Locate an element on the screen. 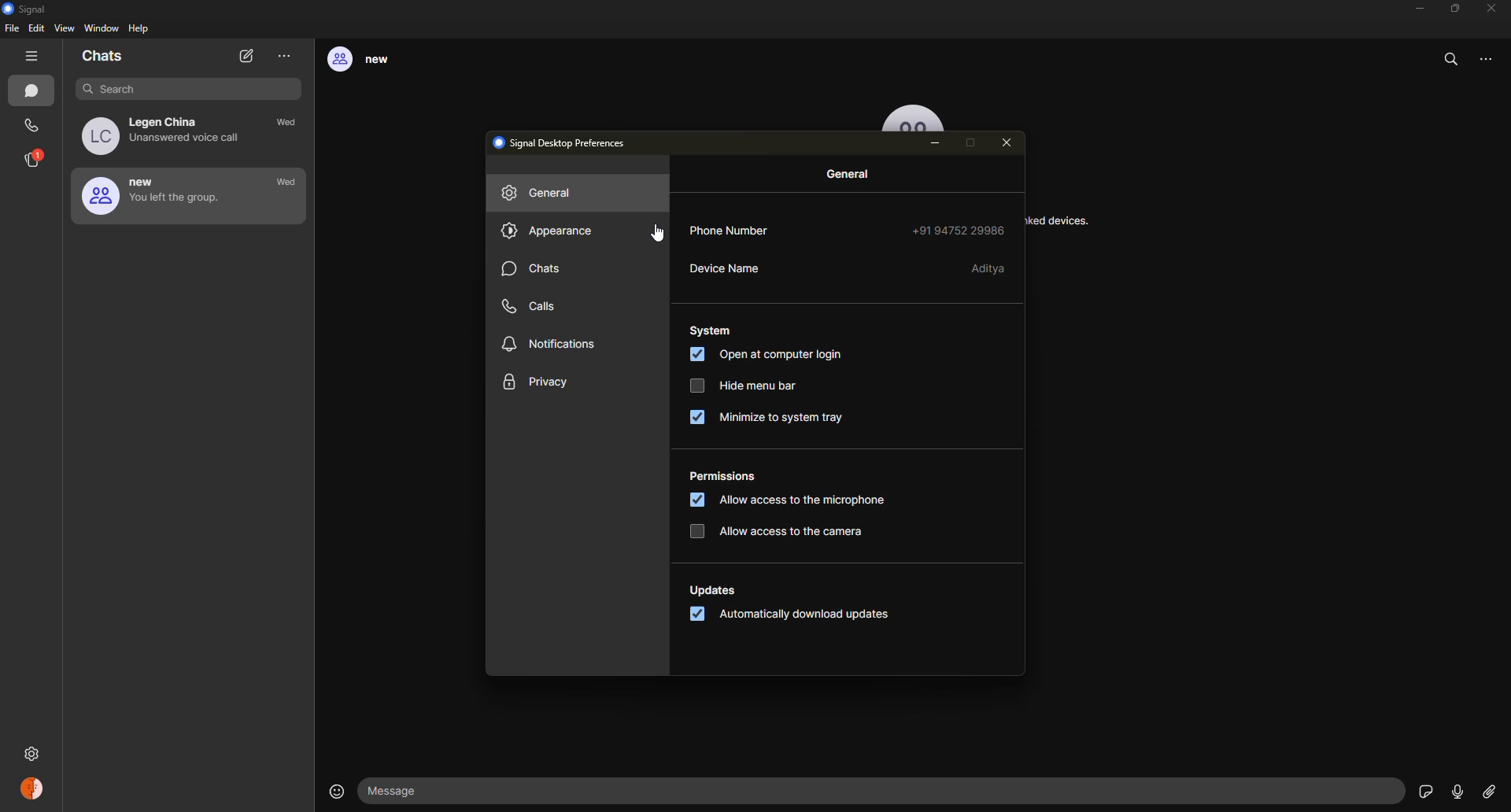 The height and width of the screenshot is (812, 1511). close is located at coordinates (1493, 8).